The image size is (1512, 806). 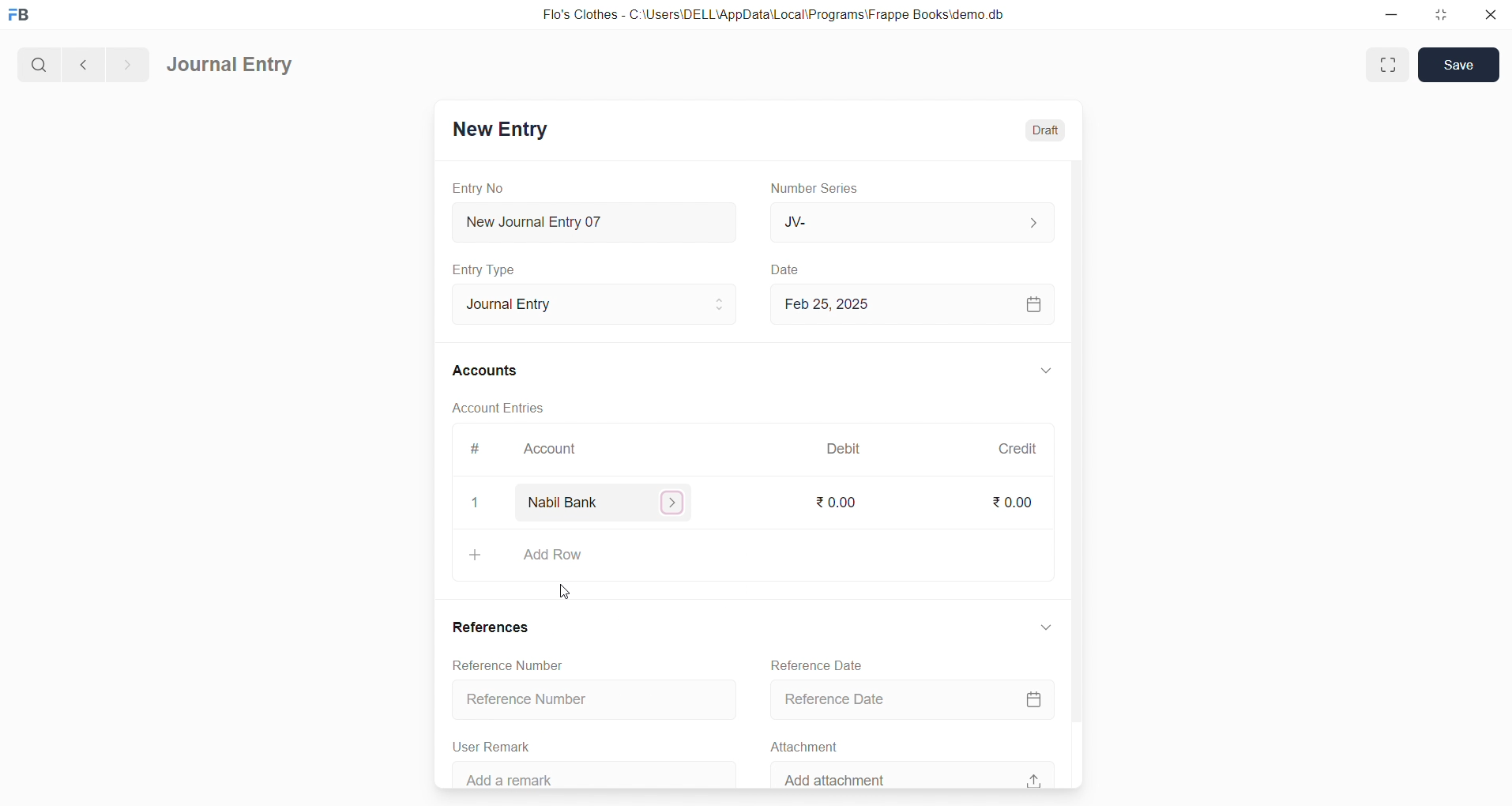 What do you see at coordinates (841, 503) in the screenshot?
I see `₹ 0.00` at bounding box center [841, 503].